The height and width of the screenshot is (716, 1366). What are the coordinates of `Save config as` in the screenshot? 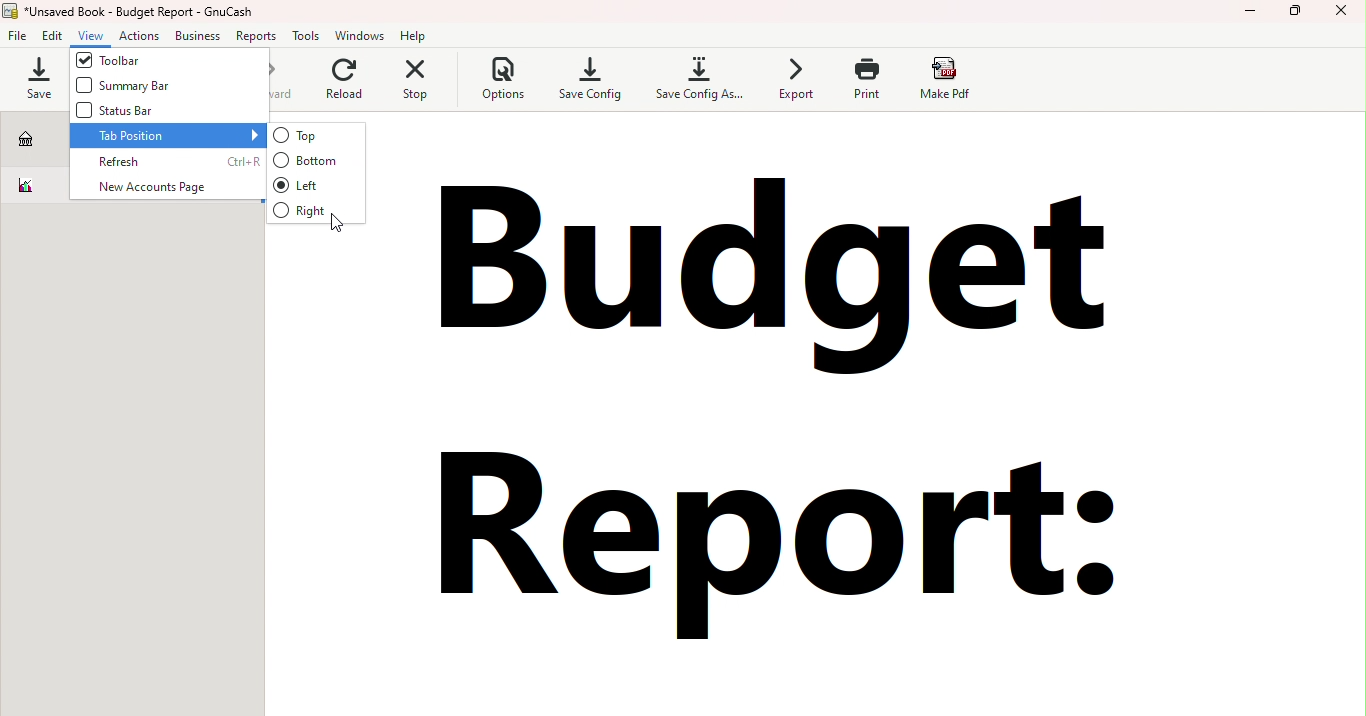 It's located at (702, 79).